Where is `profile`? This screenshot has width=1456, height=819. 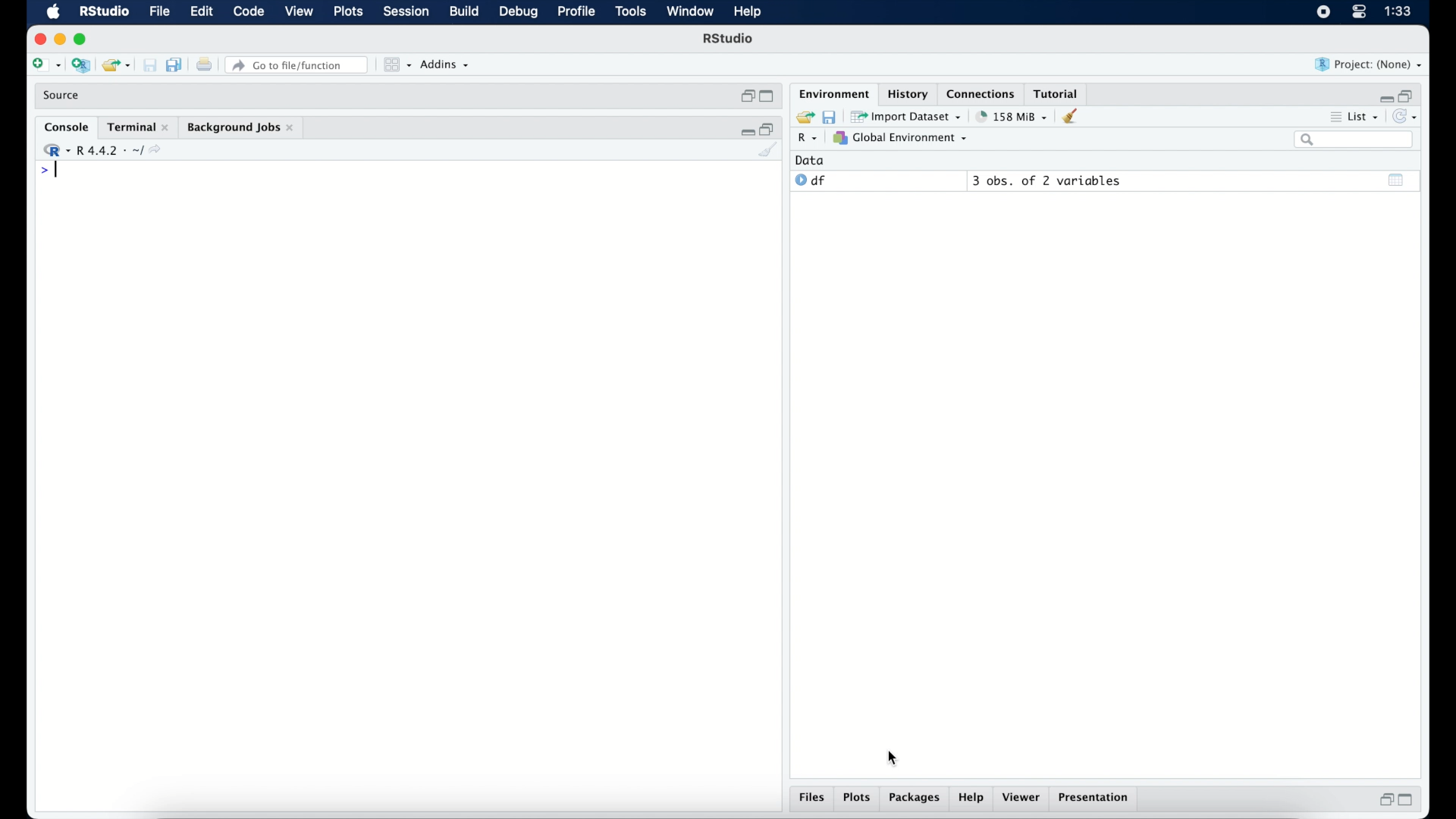
profile is located at coordinates (576, 12).